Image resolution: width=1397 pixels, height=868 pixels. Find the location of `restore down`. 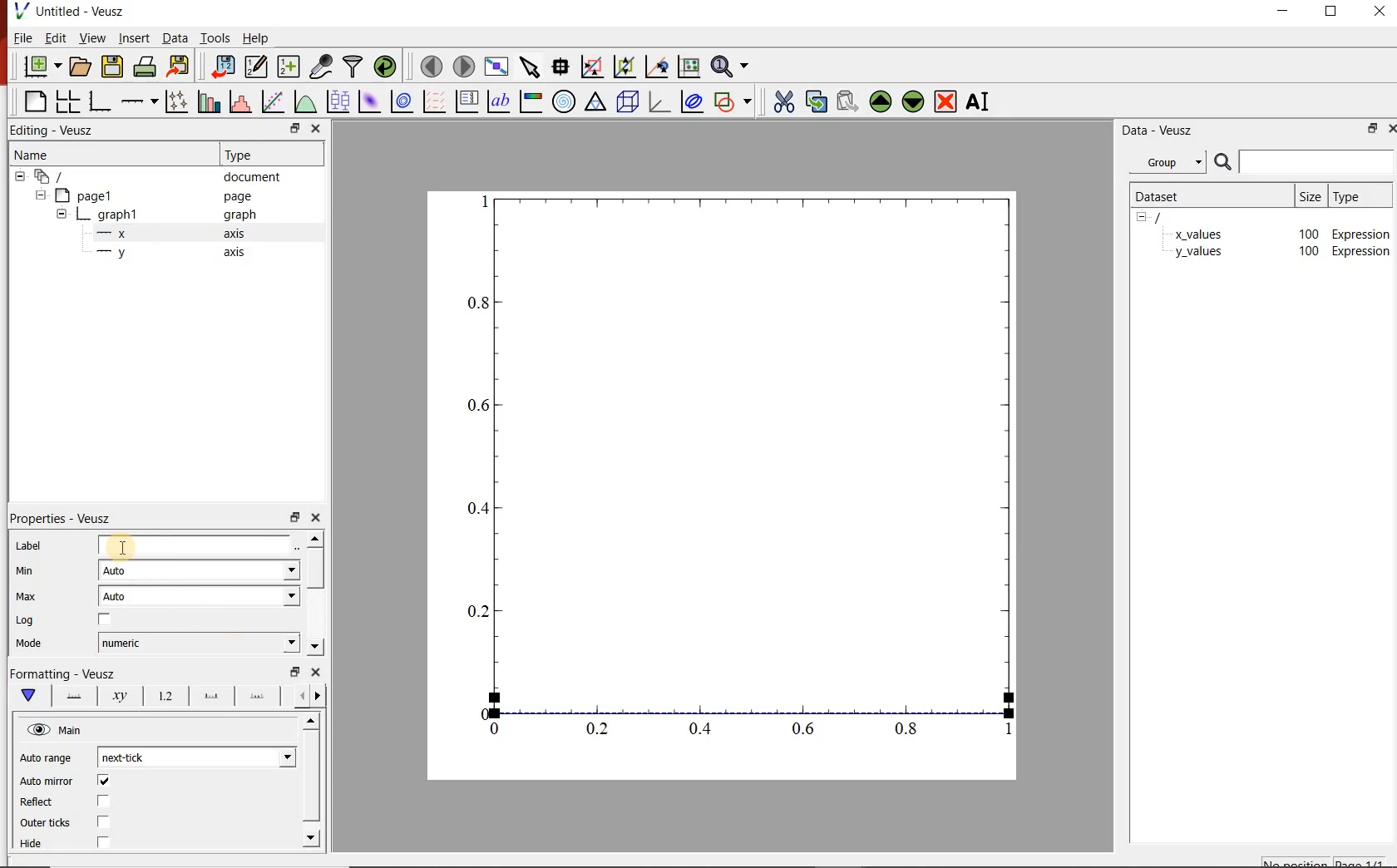

restore down is located at coordinates (1369, 128).